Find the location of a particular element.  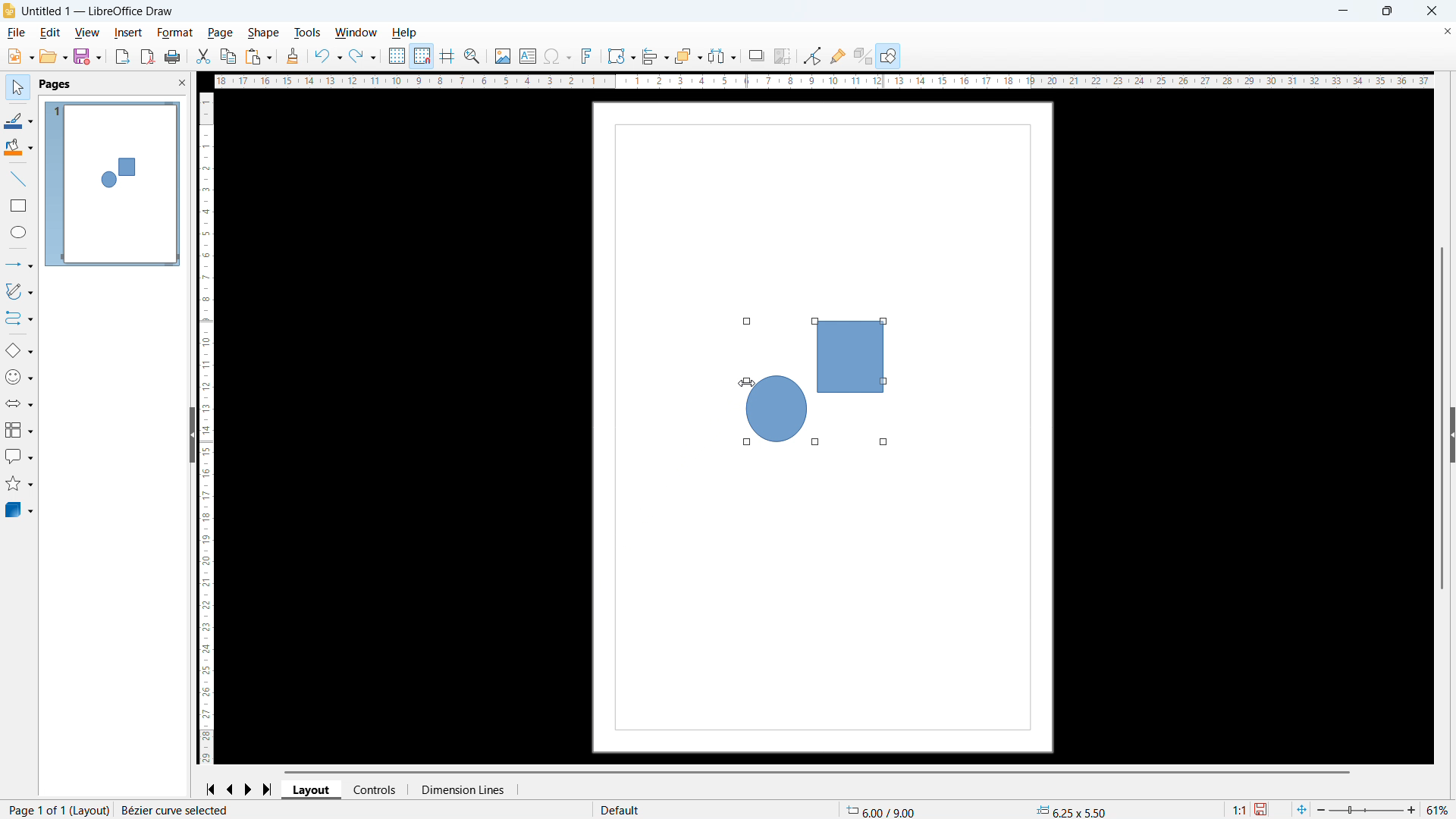

Document title  is located at coordinates (98, 11).